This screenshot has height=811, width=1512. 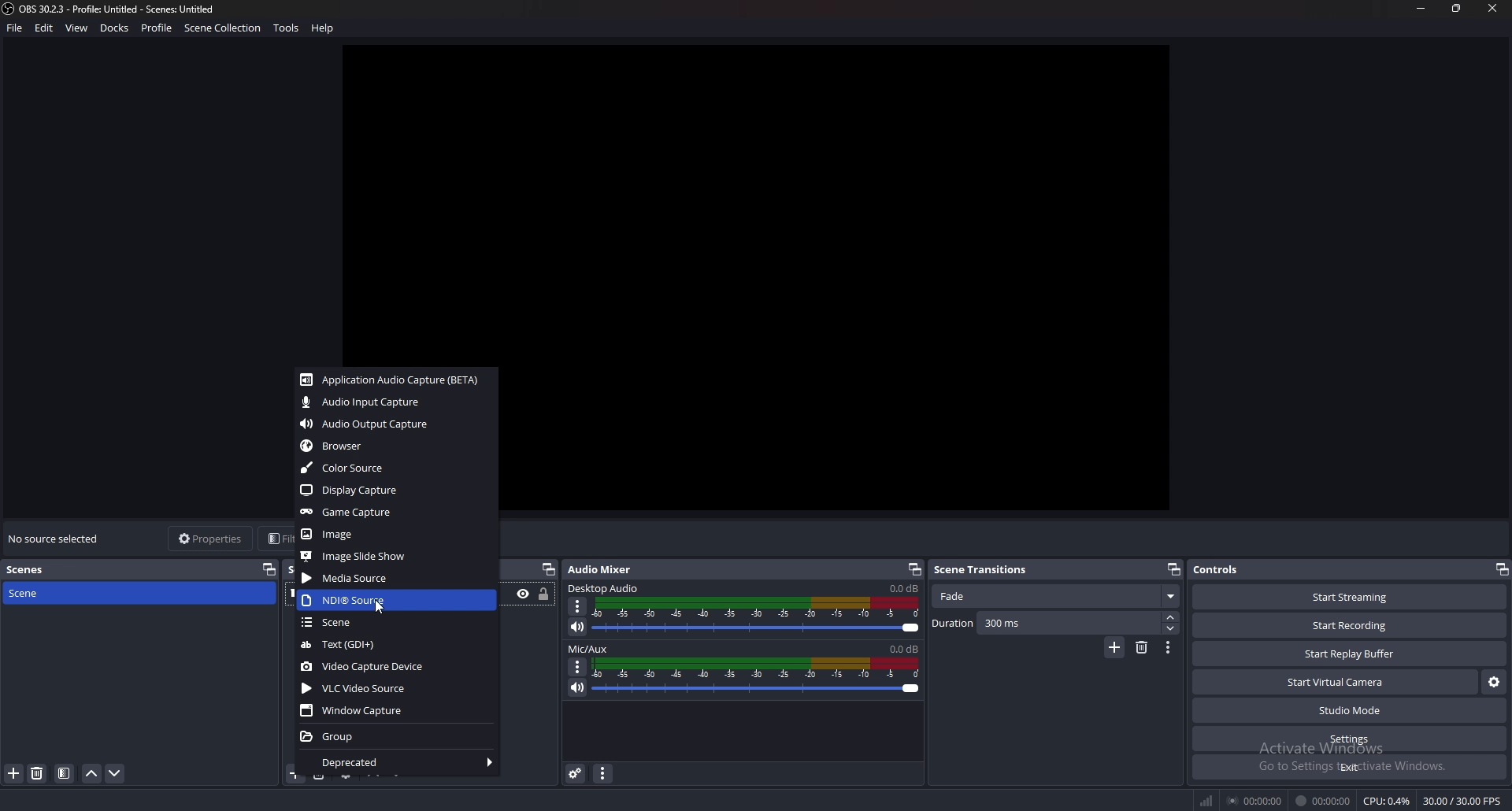 What do you see at coordinates (394, 491) in the screenshot?
I see `display capture` at bounding box center [394, 491].